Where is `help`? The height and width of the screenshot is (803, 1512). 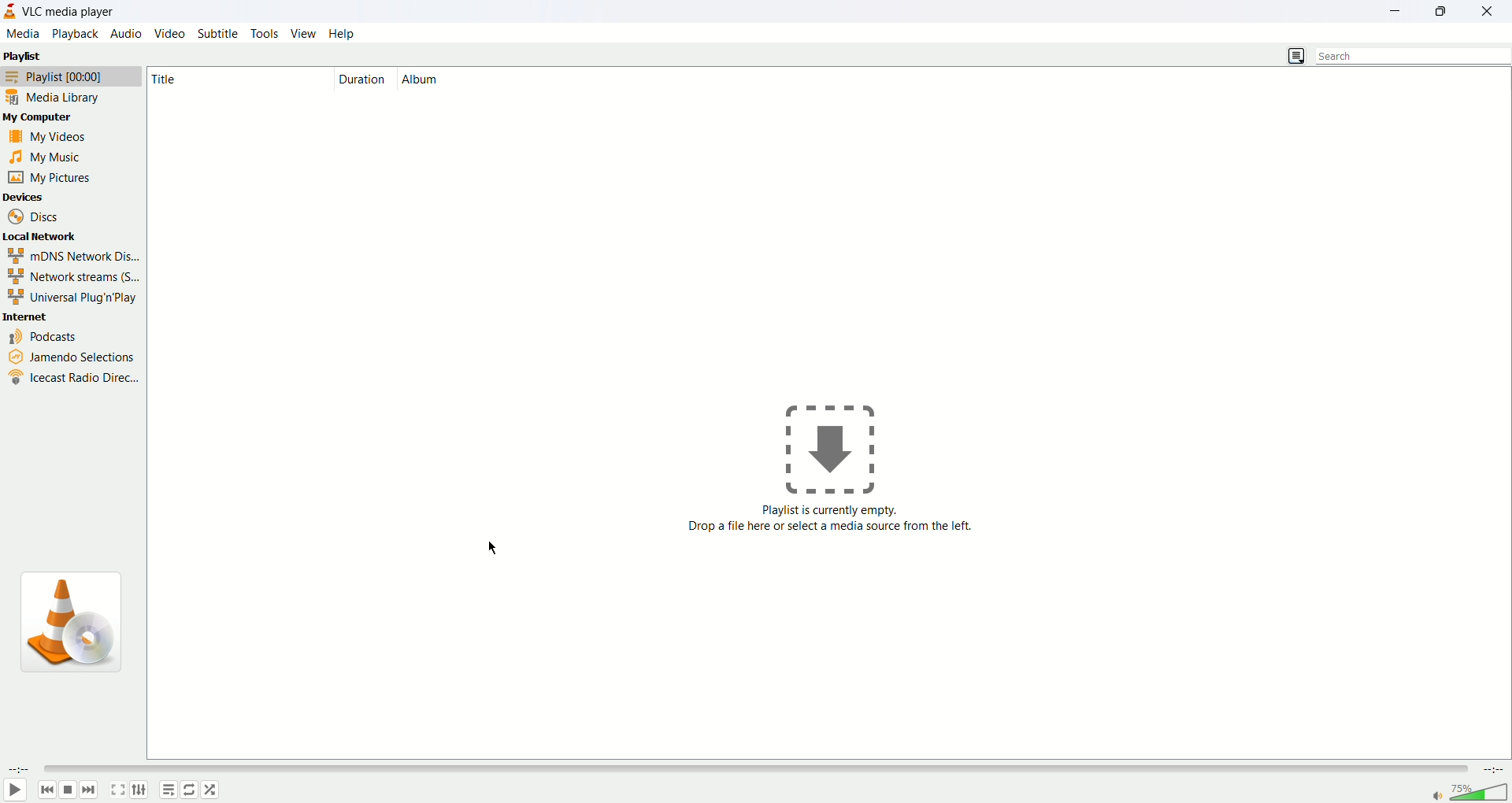 help is located at coordinates (342, 34).